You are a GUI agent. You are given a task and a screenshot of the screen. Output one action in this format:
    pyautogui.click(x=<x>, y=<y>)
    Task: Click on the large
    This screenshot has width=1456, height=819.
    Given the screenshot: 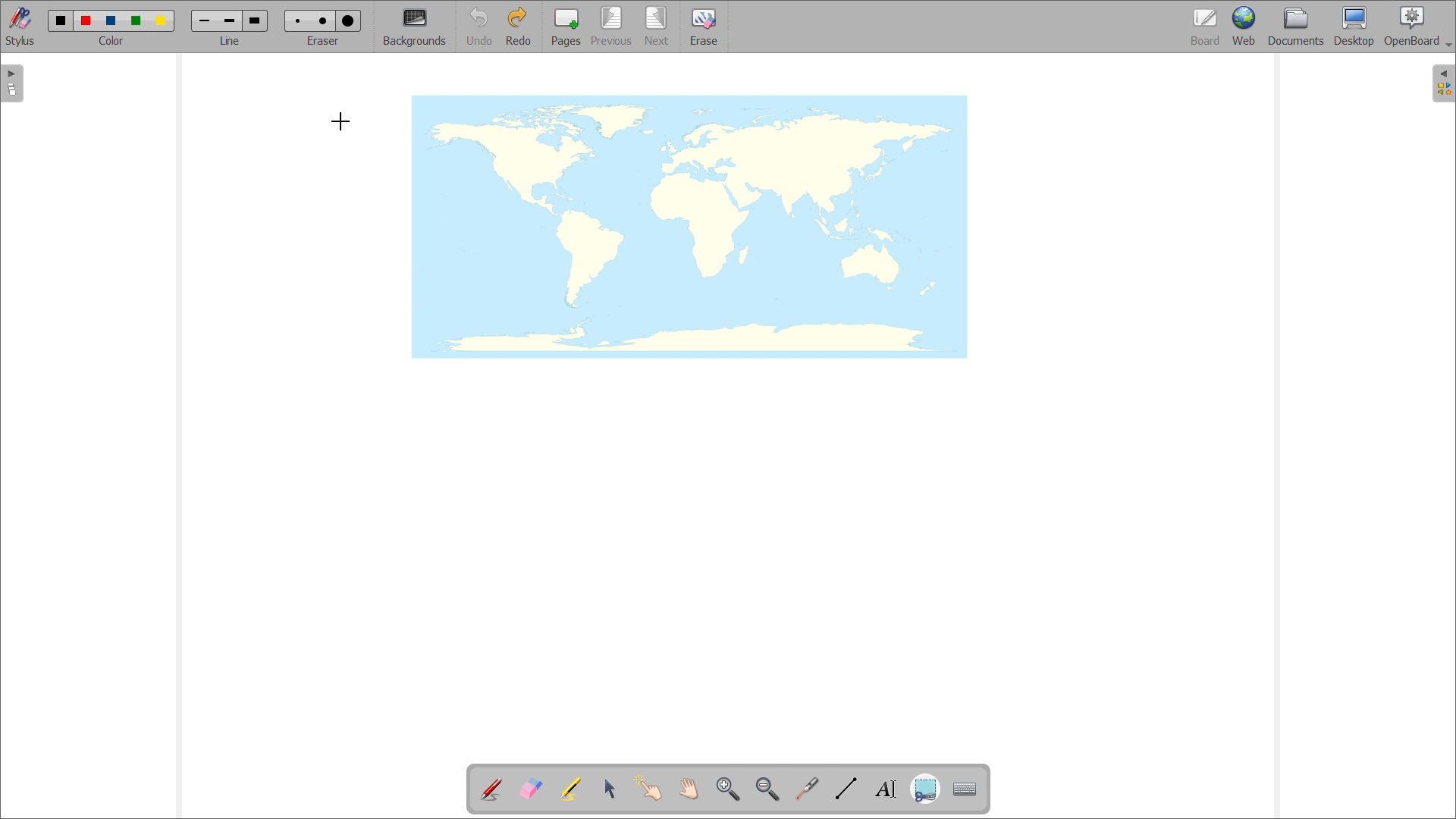 What is the action you would take?
    pyautogui.click(x=347, y=21)
    